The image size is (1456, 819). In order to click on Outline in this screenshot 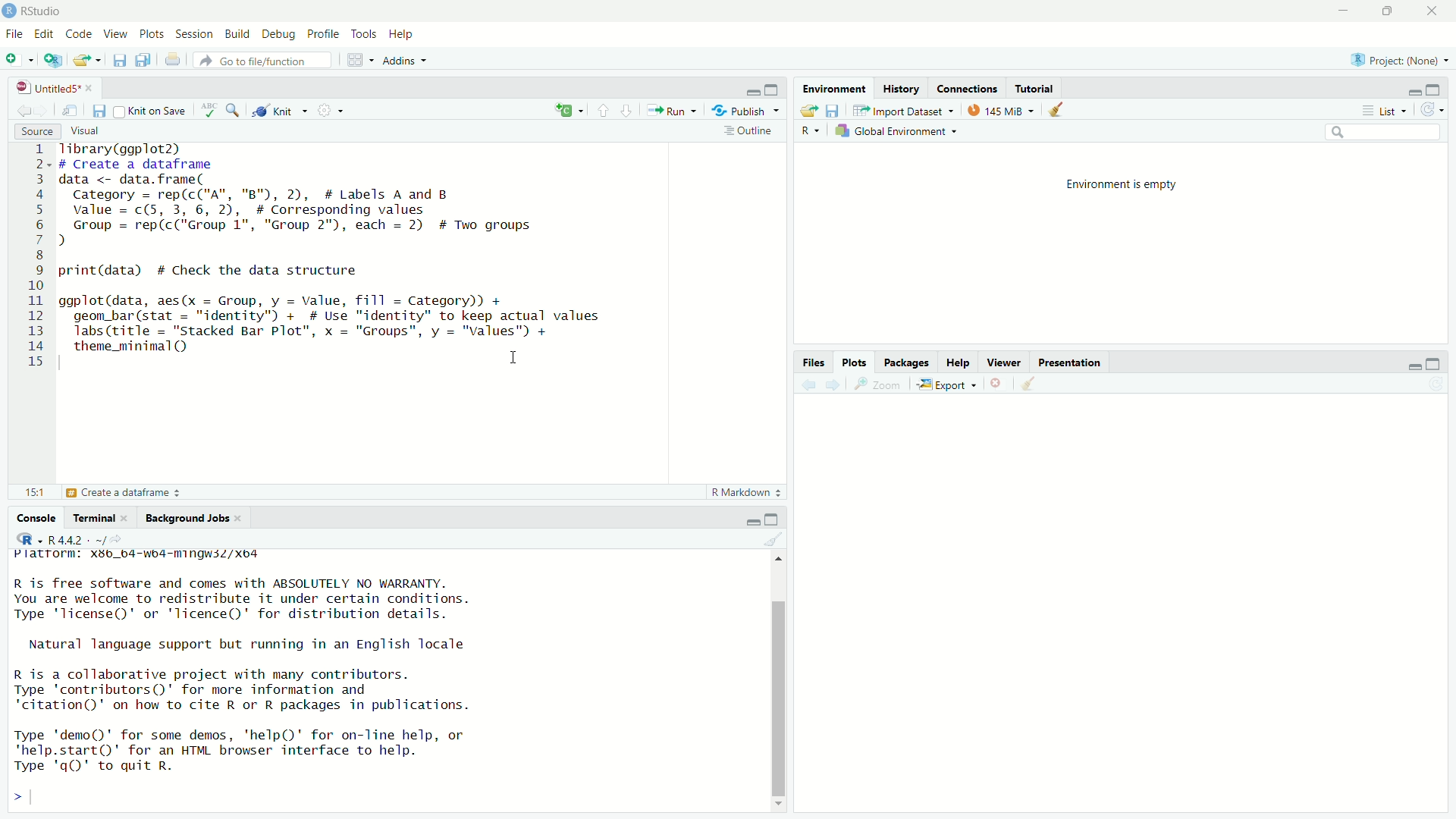, I will do `click(752, 131)`.